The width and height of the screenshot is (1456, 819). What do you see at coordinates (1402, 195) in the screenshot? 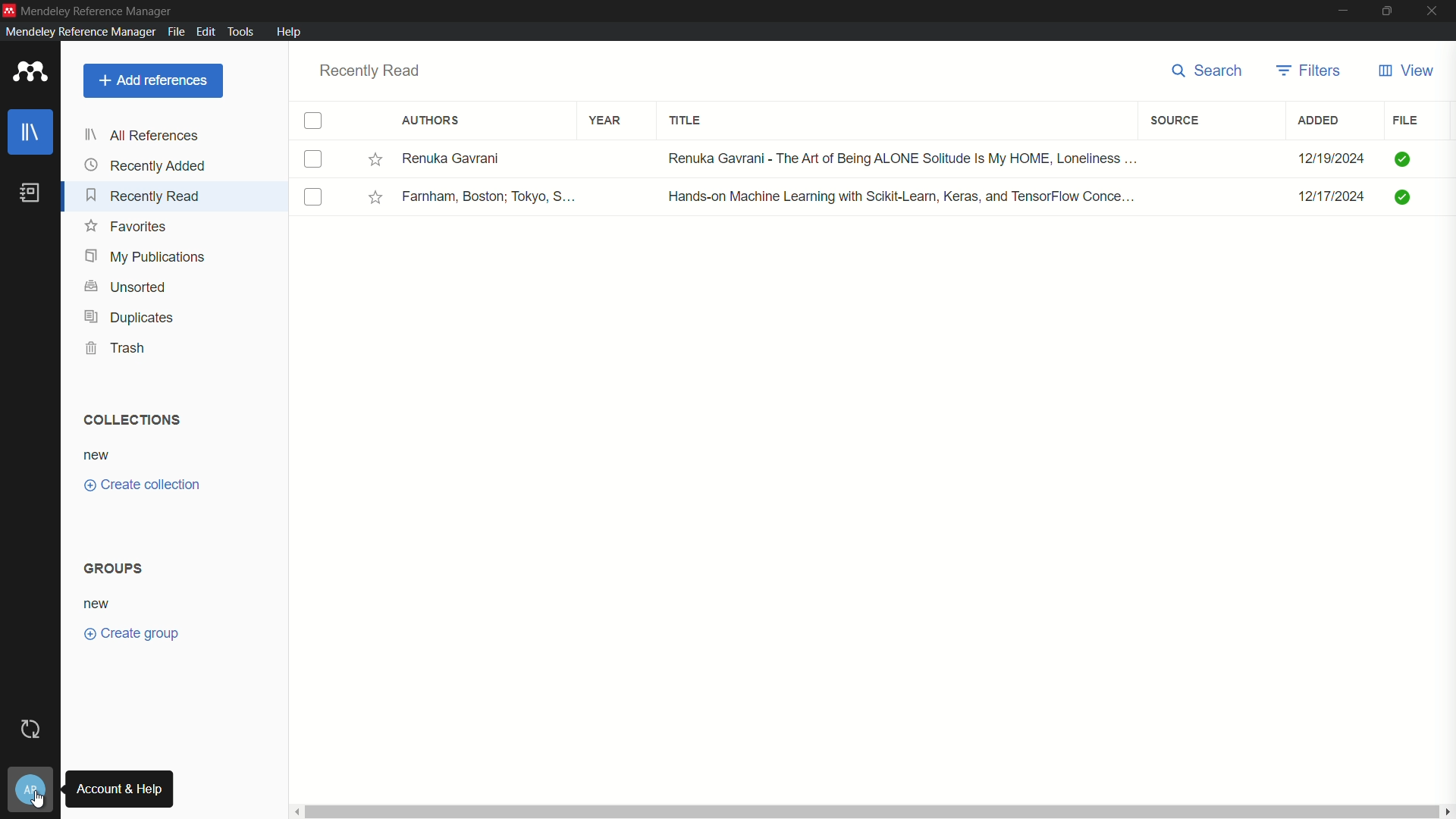
I see `Checked` at bounding box center [1402, 195].